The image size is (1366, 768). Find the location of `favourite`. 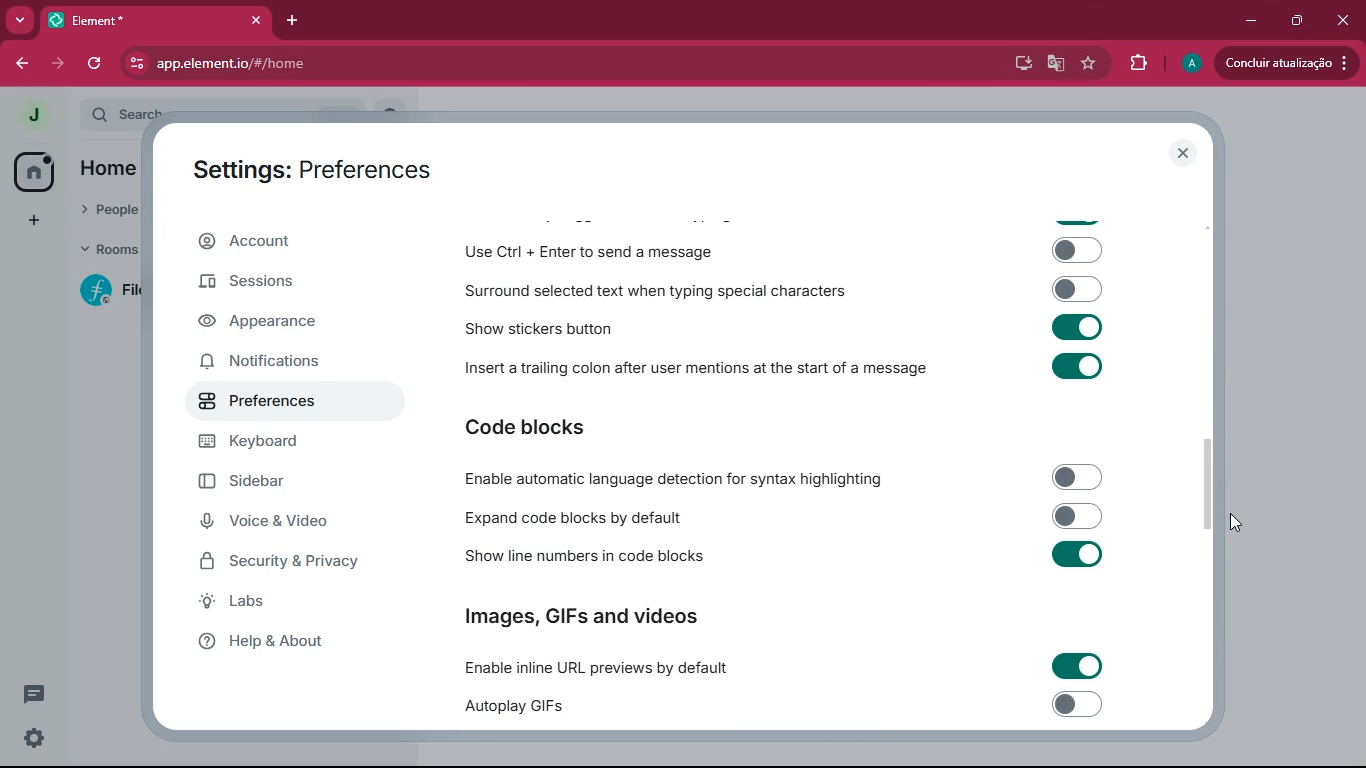

favourite is located at coordinates (1089, 64).